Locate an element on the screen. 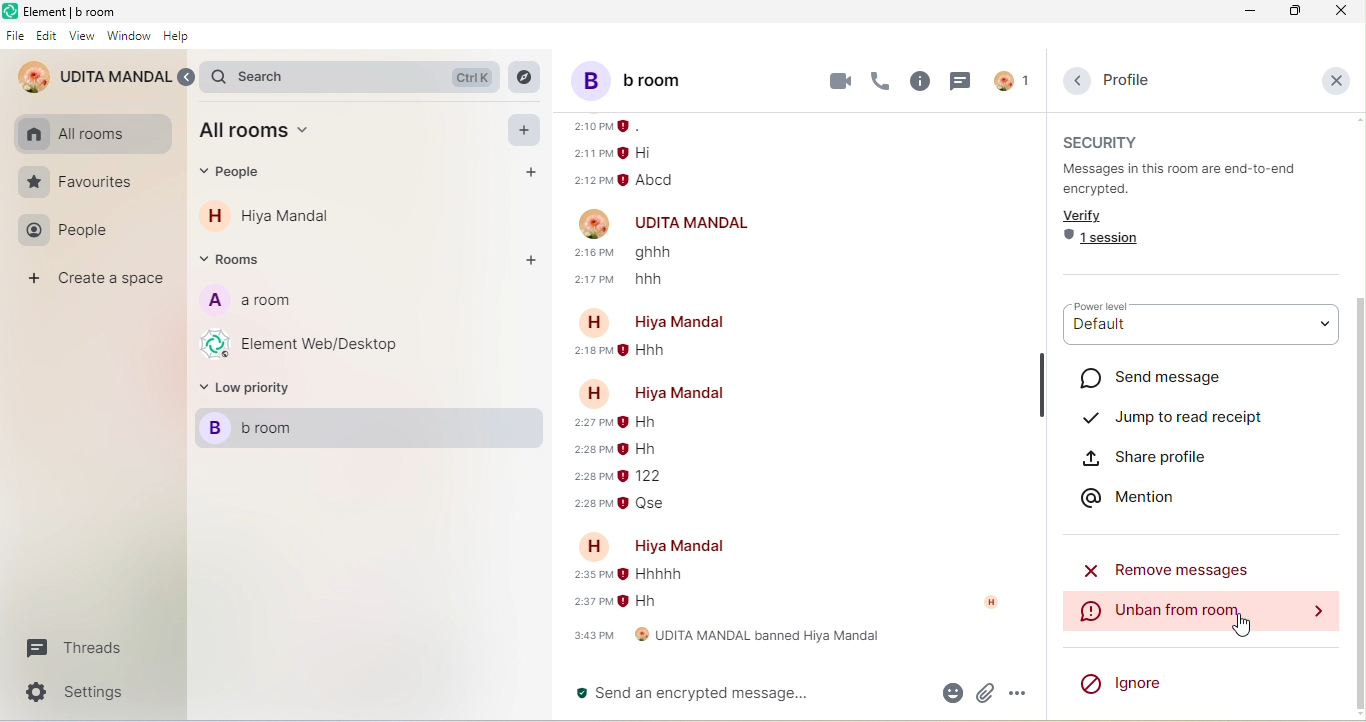 This screenshot has height=722, width=1366. edit is located at coordinates (47, 36).